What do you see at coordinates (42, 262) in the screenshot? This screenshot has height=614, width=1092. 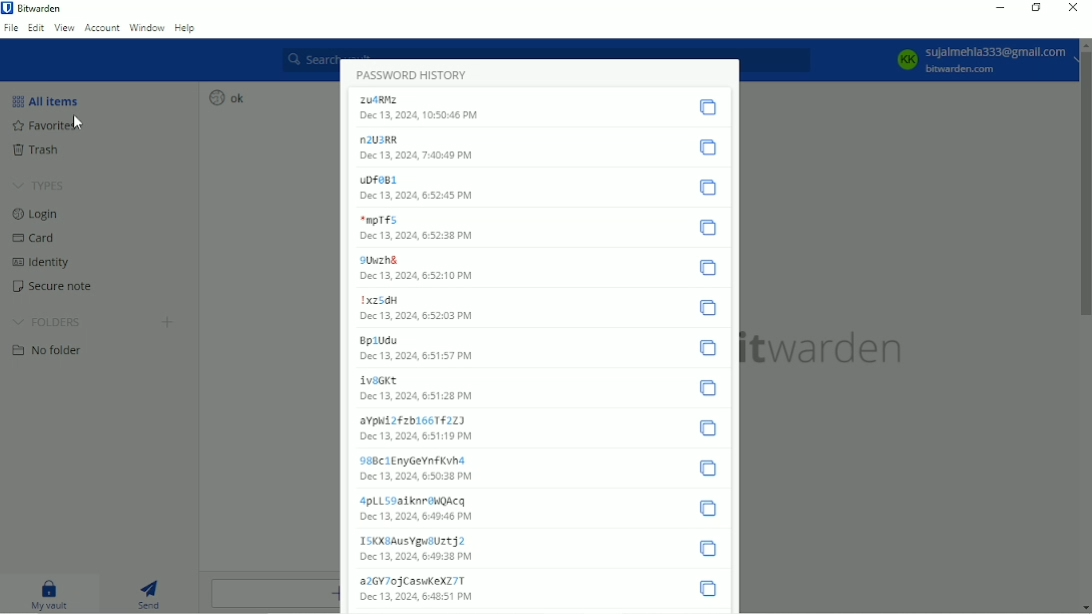 I see `Identity` at bounding box center [42, 262].